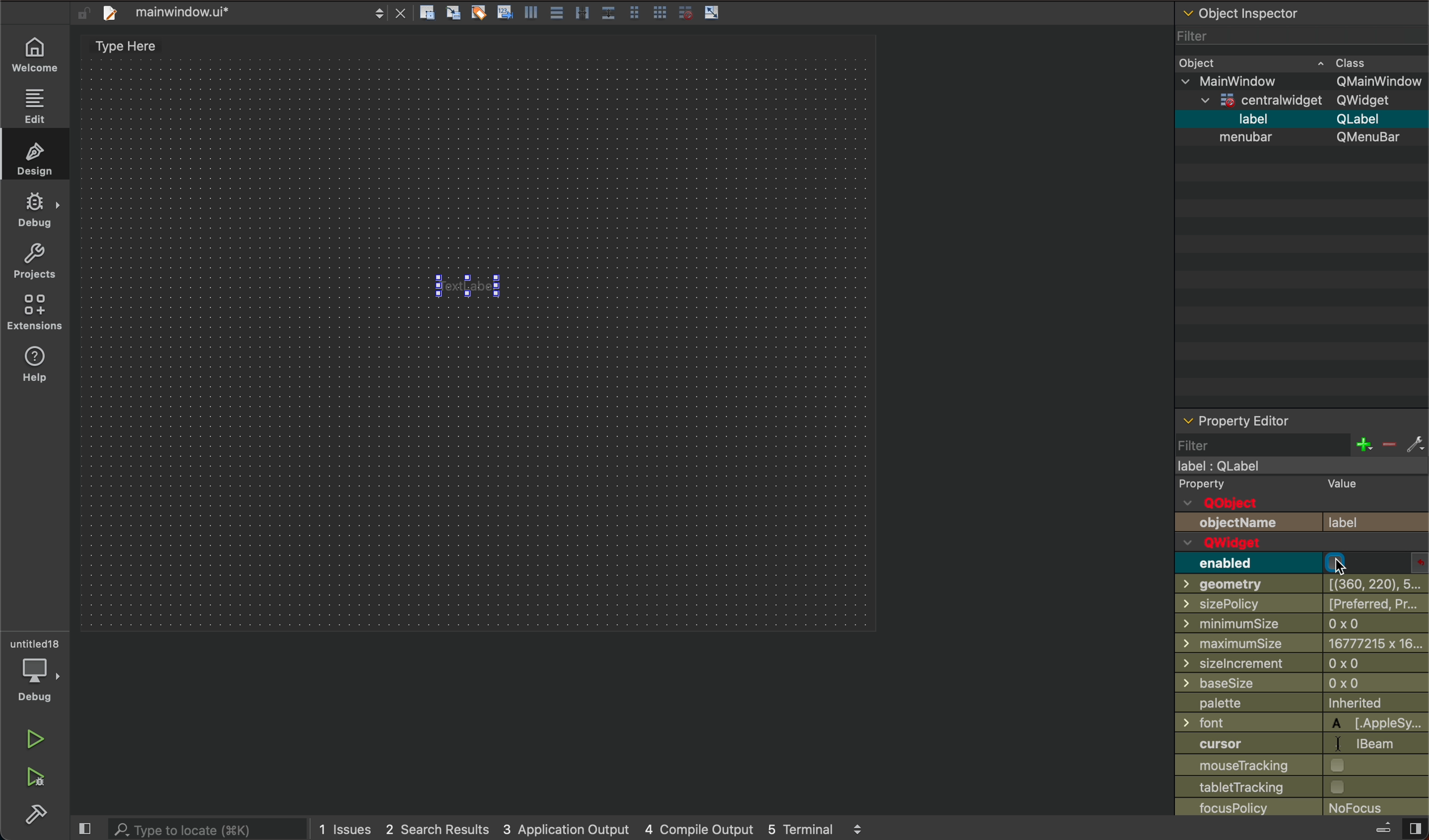 This screenshot has width=1429, height=840. I want to click on close slidebar, so click(1394, 828).